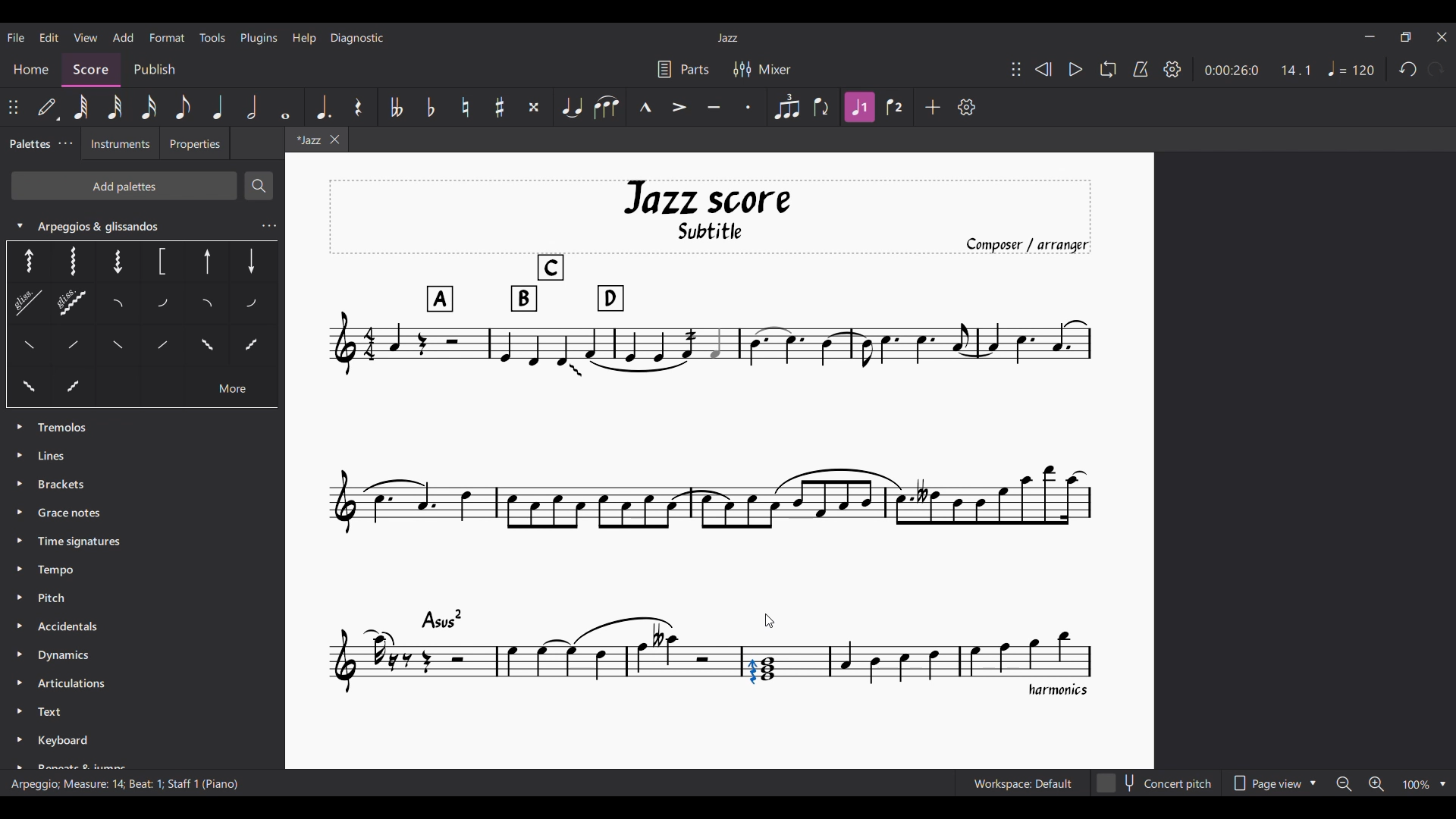  Describe the element at coordinates (59, 568) in the screenshot. I see `Tempo` at that location.